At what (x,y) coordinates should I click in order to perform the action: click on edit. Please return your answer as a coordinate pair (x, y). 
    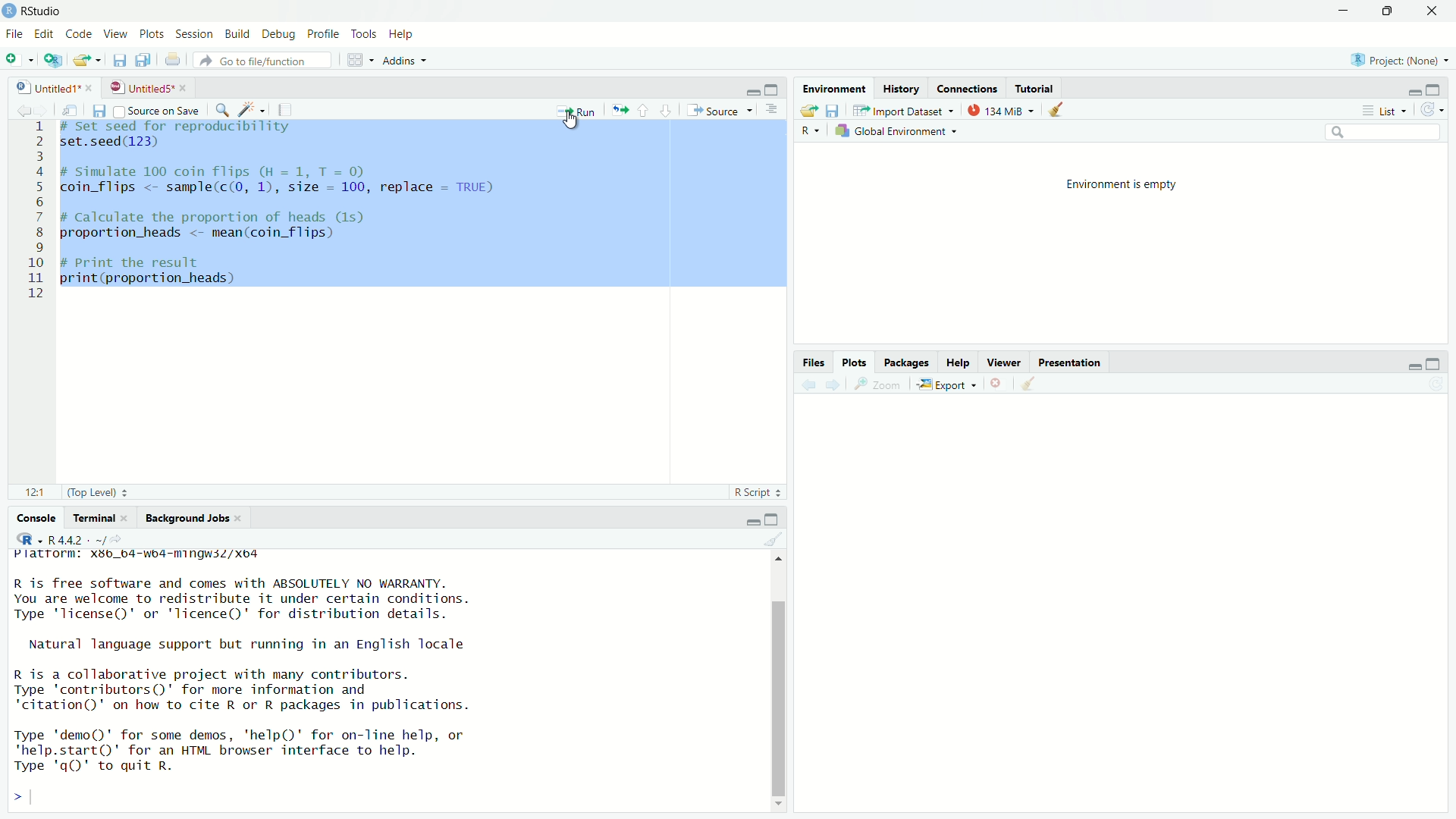
    Looking at the image, I should click on (45, 33).